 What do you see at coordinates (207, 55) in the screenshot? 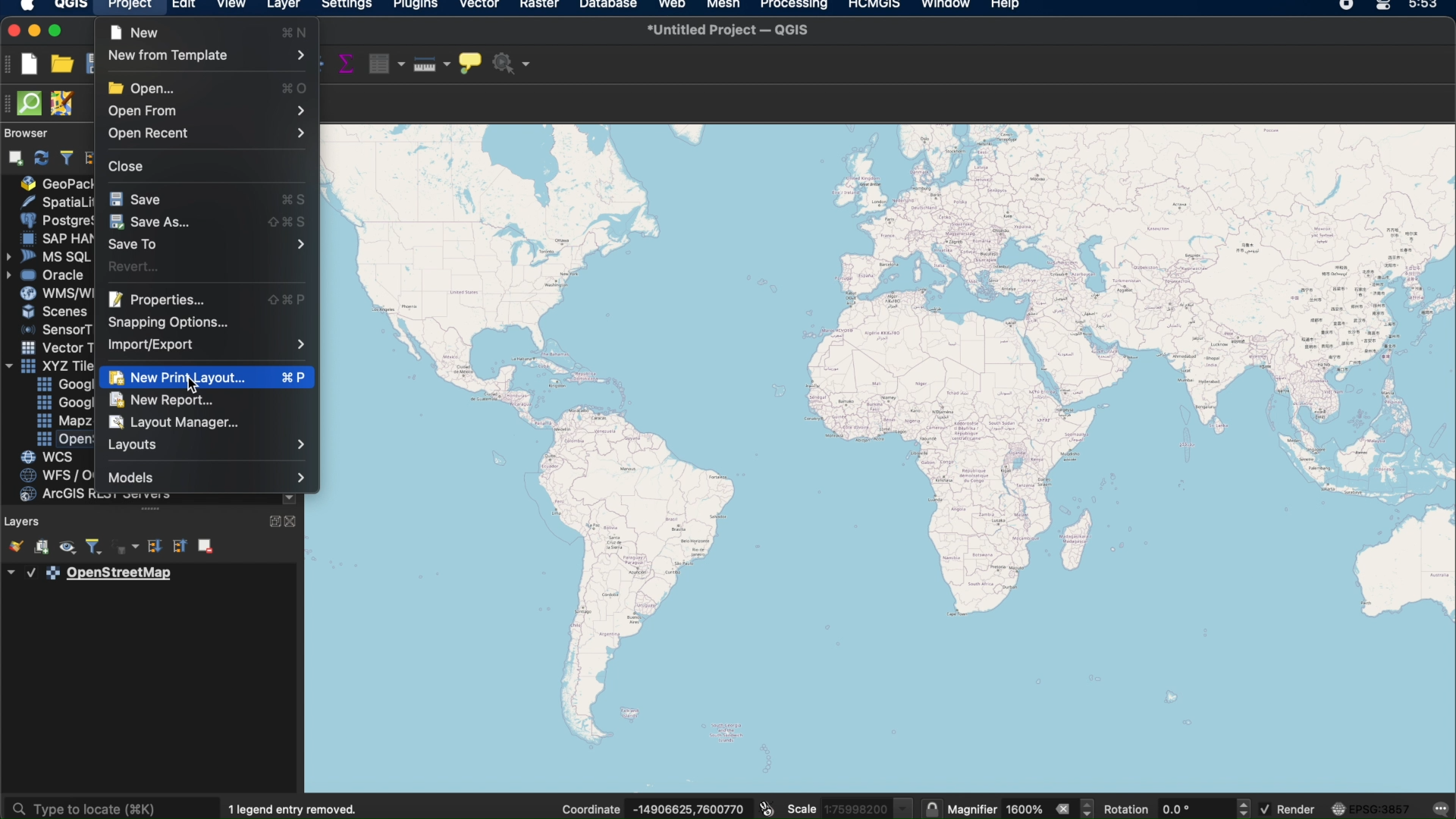
I see `New from Template ` at bounding box center [207, 55].